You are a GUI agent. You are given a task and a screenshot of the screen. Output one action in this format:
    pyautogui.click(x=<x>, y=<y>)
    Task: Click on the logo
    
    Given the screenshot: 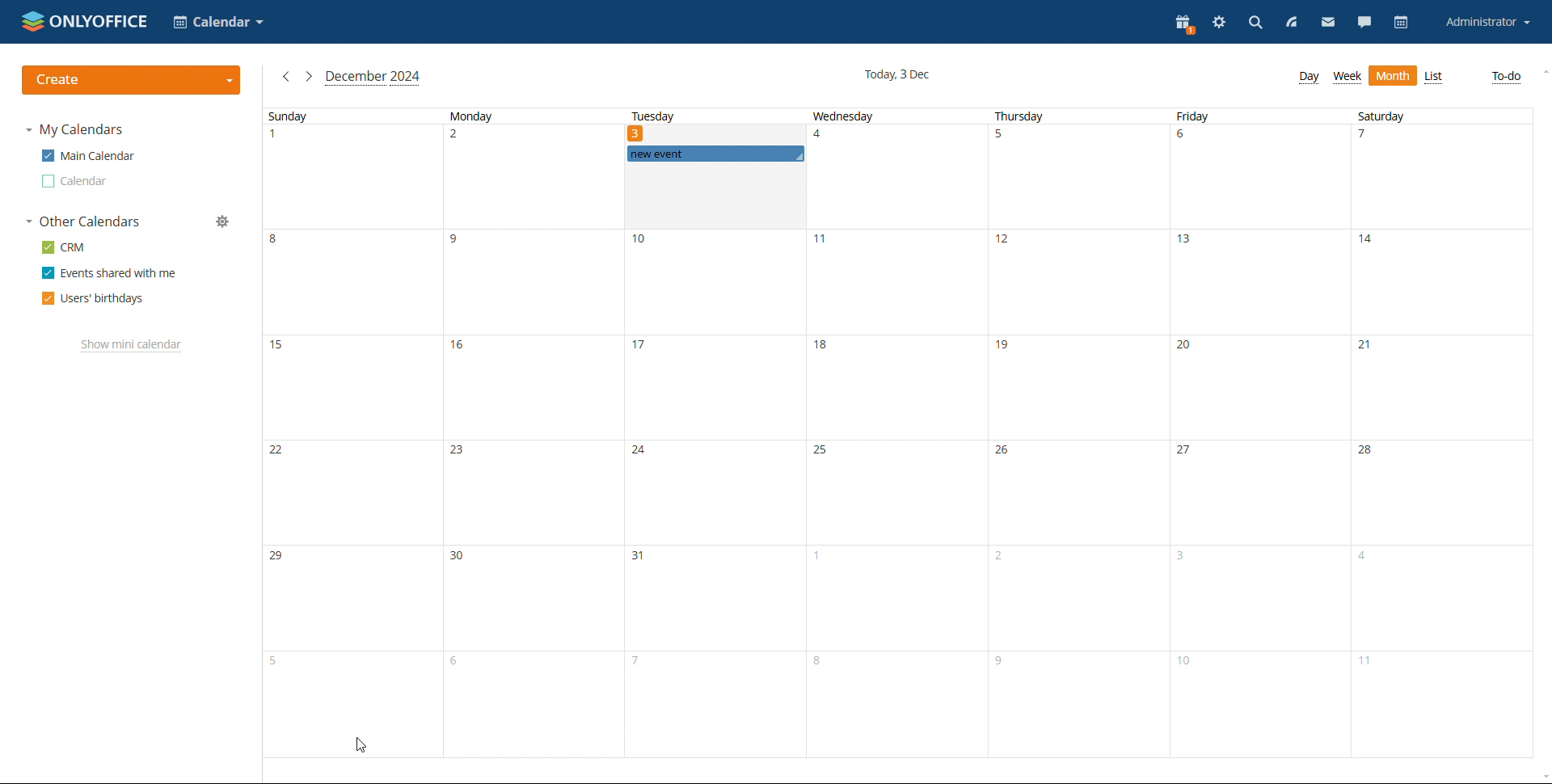 What is the action you would take?
    pyautogui.click(x=85, y=20)
    